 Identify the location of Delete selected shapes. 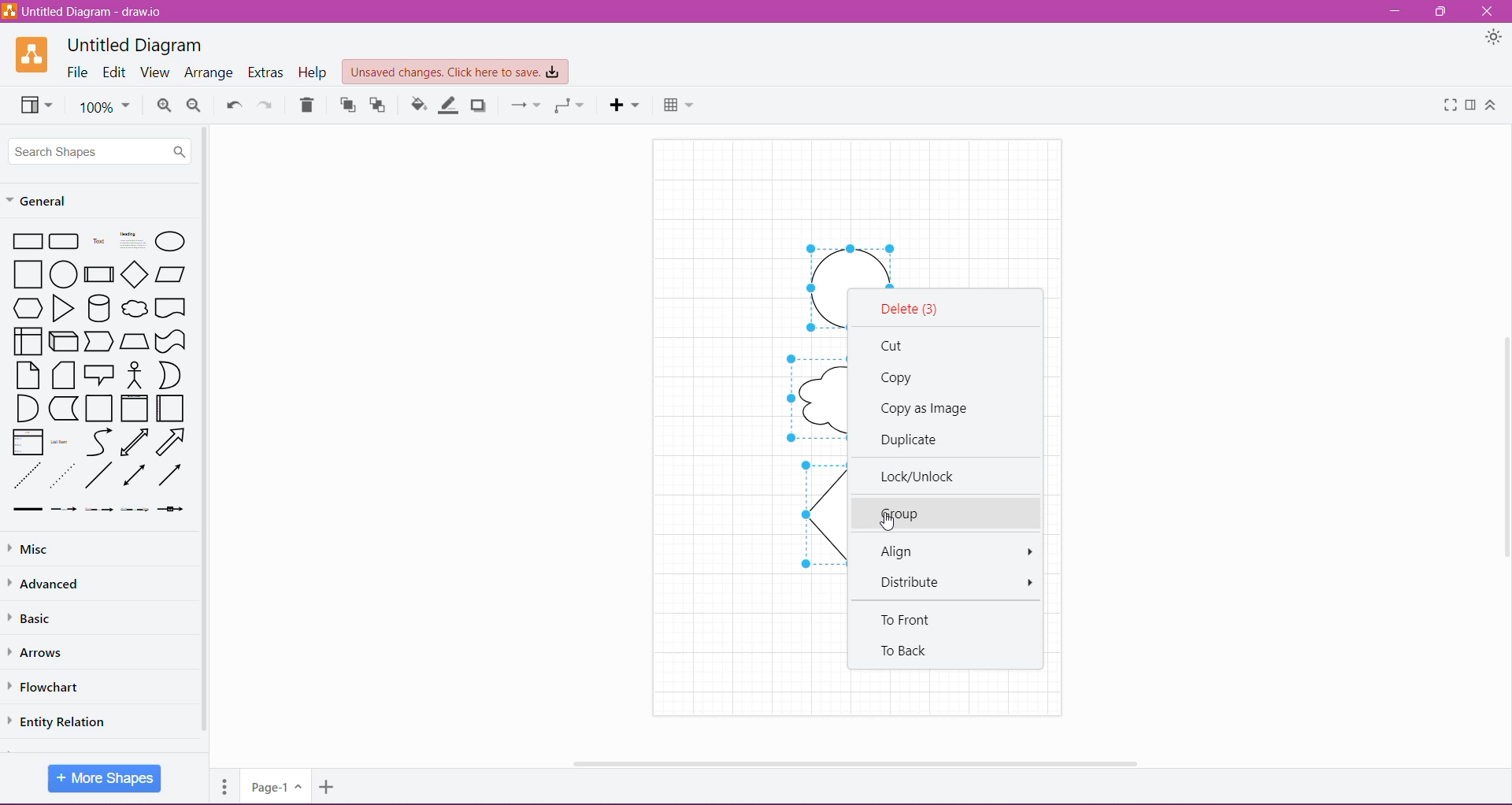
(908, 309).